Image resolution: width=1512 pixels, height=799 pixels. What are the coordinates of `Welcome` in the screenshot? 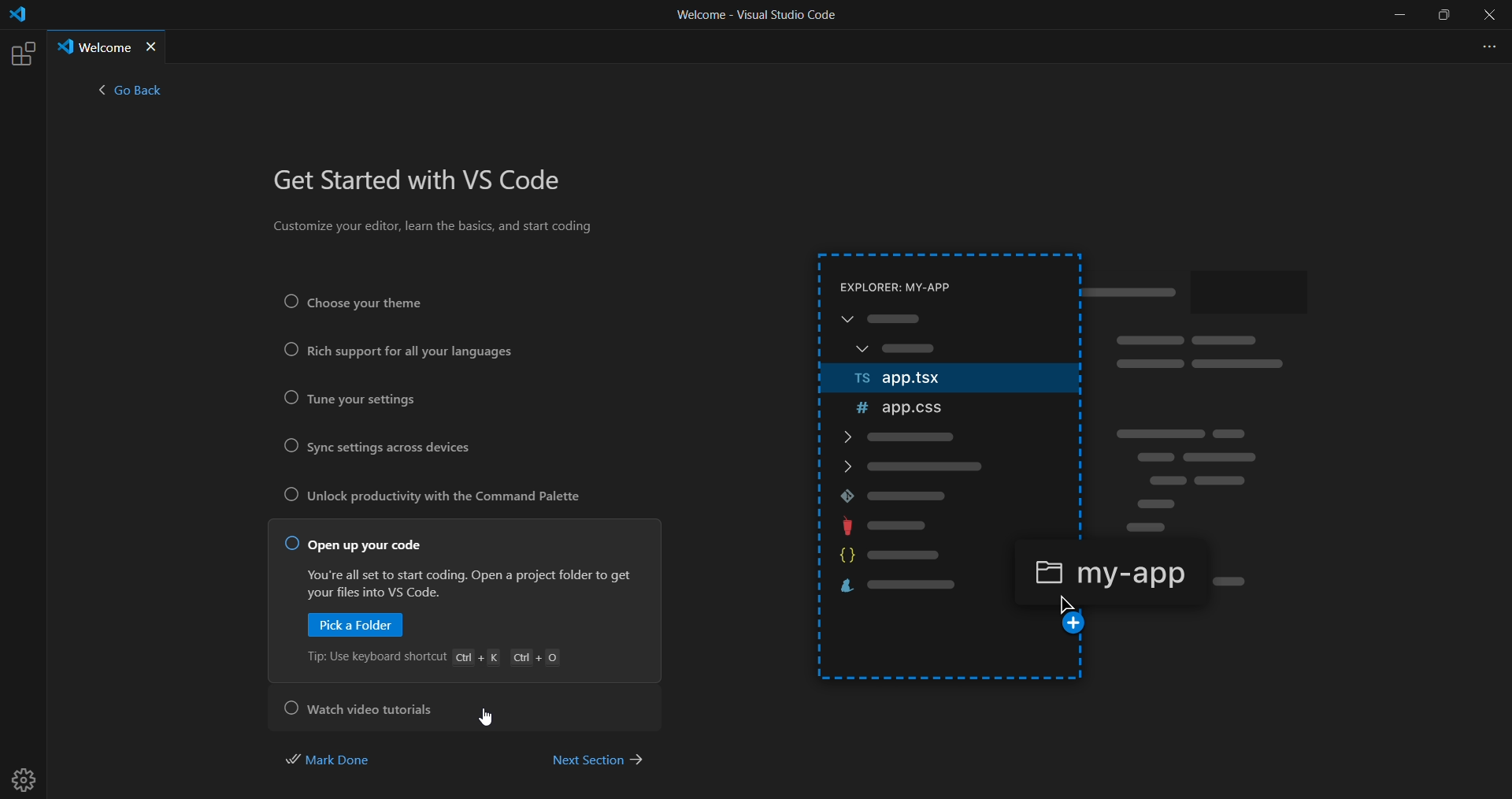 It's located at (93, 46).